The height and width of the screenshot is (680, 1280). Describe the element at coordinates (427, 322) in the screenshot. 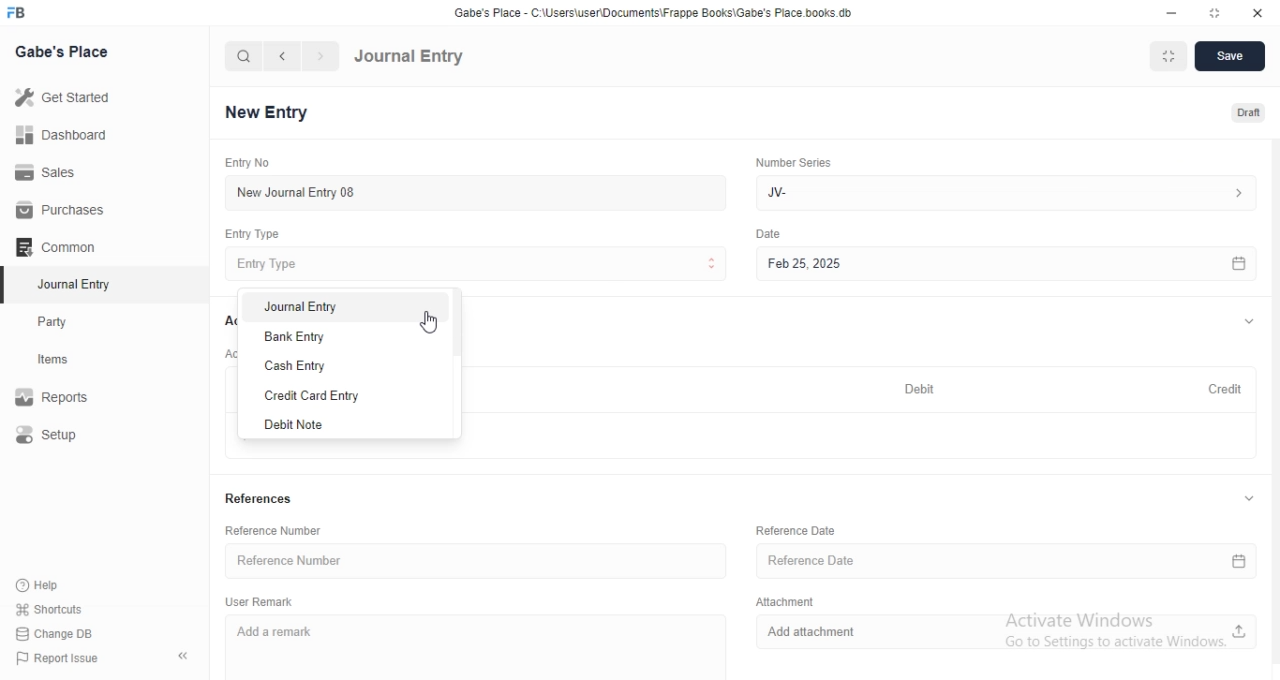

I see `cursor` at that location.